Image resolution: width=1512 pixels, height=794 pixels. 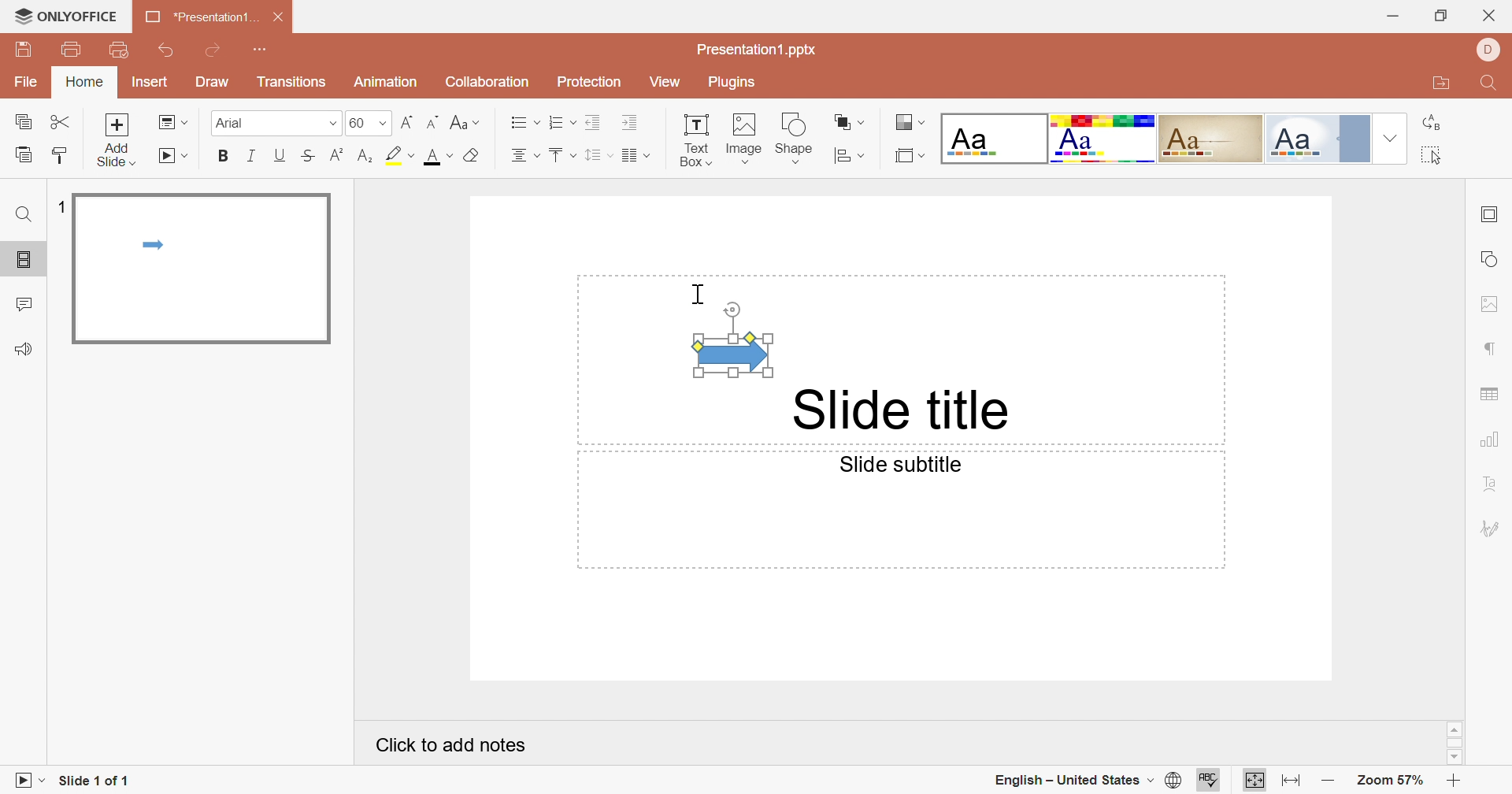 I want to click on Restore down, so click(x=1443, y=17).